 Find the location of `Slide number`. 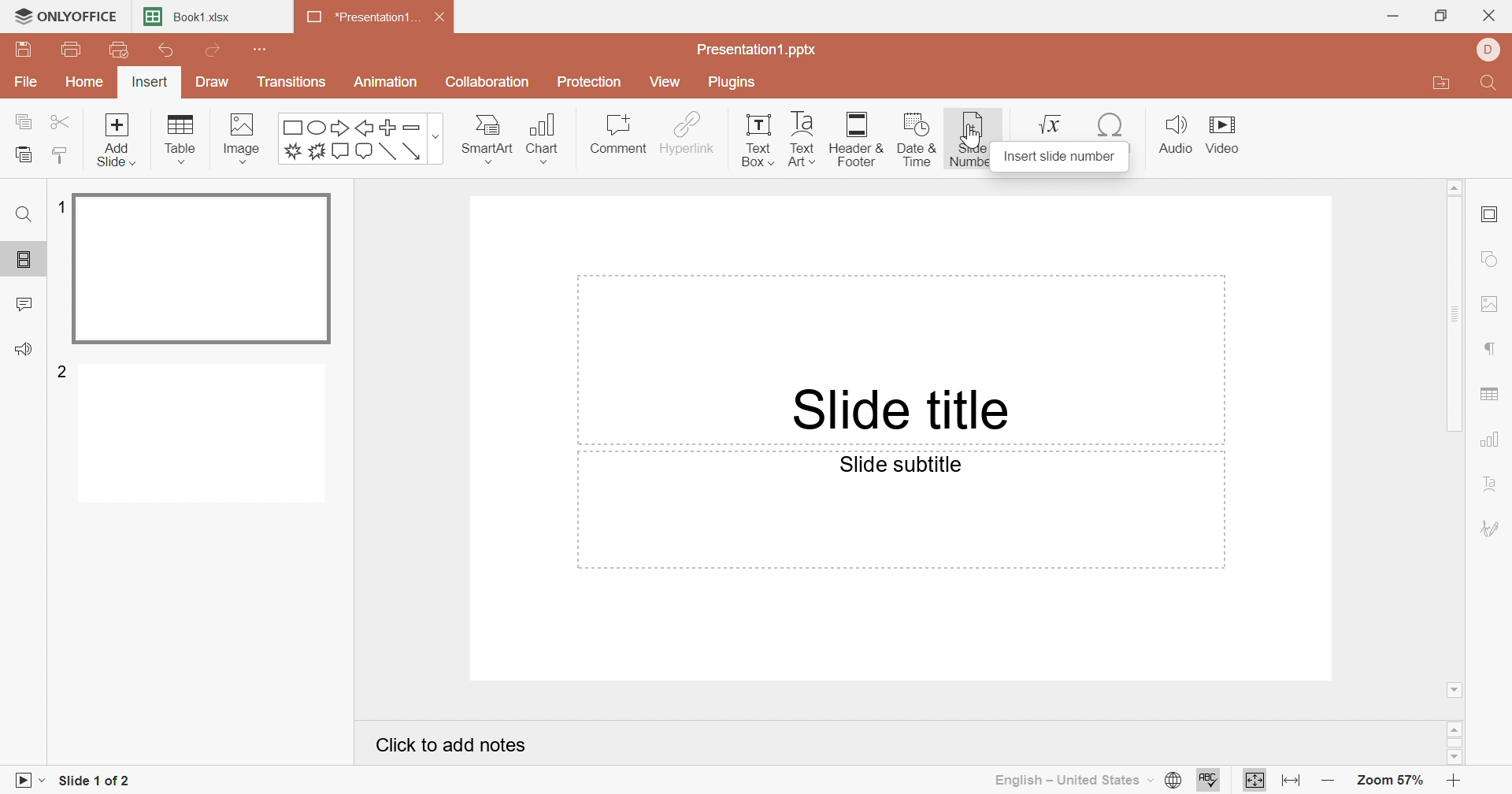

Slide number is located at coordinates (967, 139).